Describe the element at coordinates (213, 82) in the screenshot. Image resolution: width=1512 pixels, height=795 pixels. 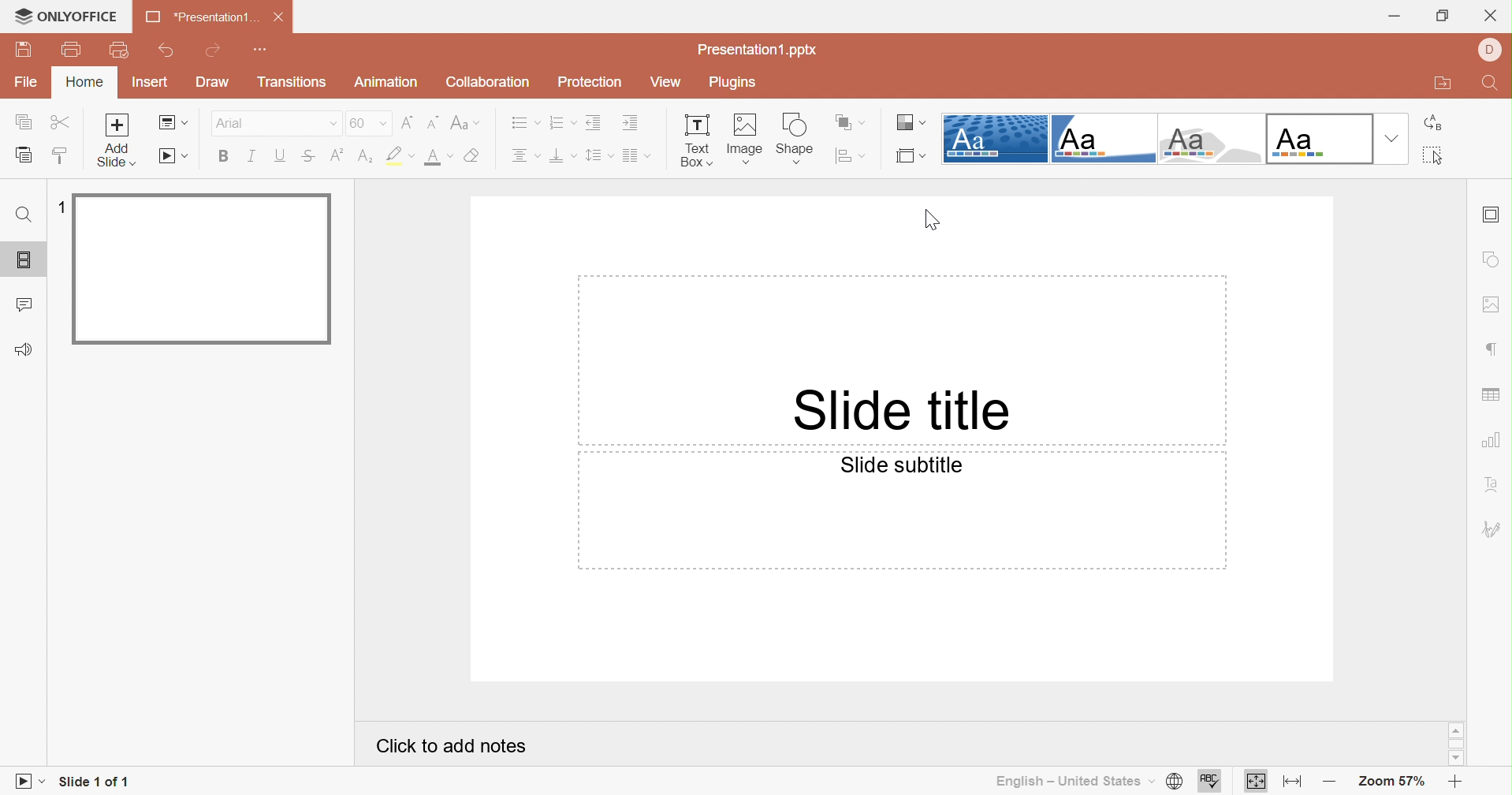
I see `Draw` at that location.